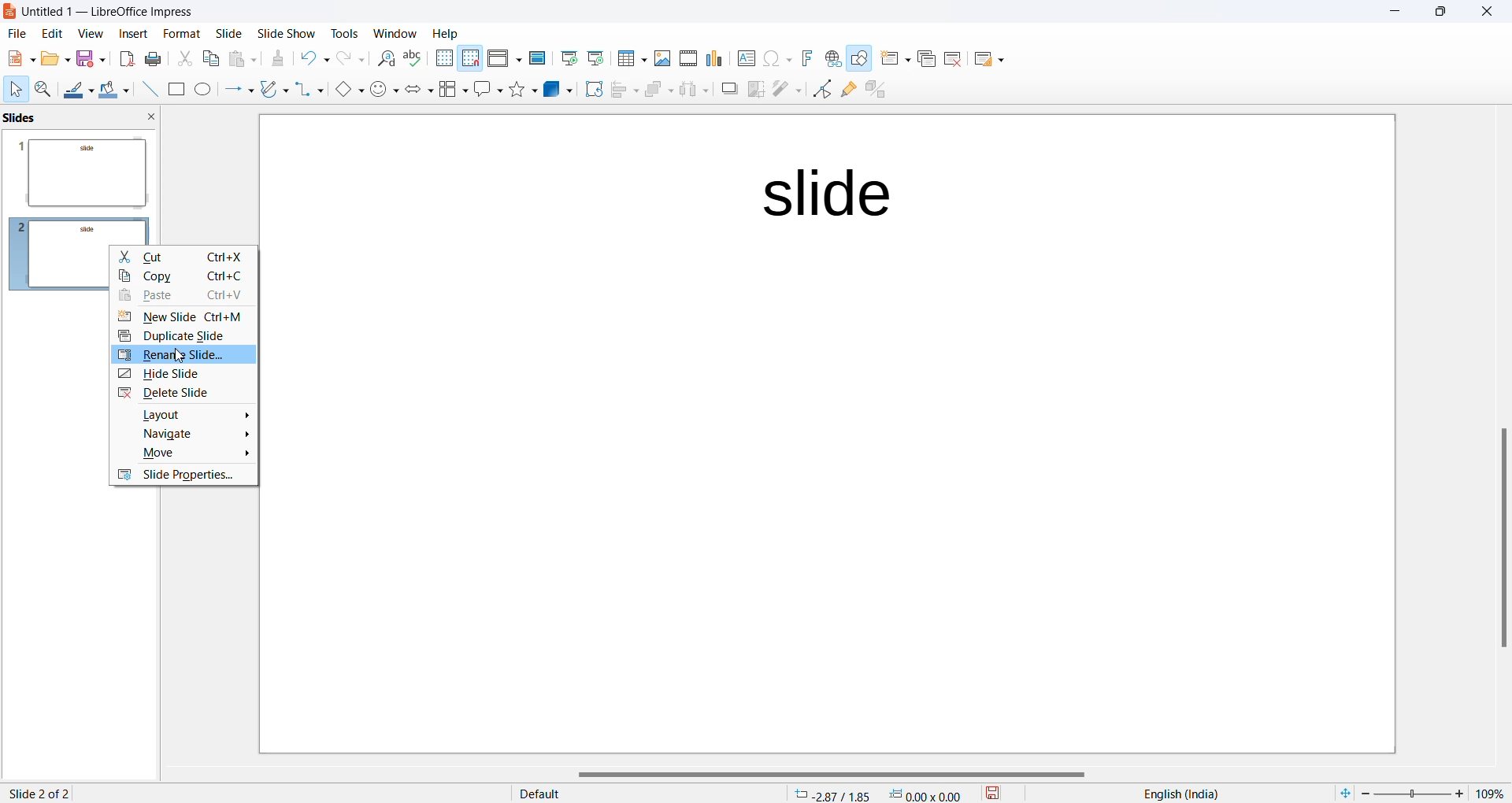  I want to click on Find and replace, so click(384, 59).